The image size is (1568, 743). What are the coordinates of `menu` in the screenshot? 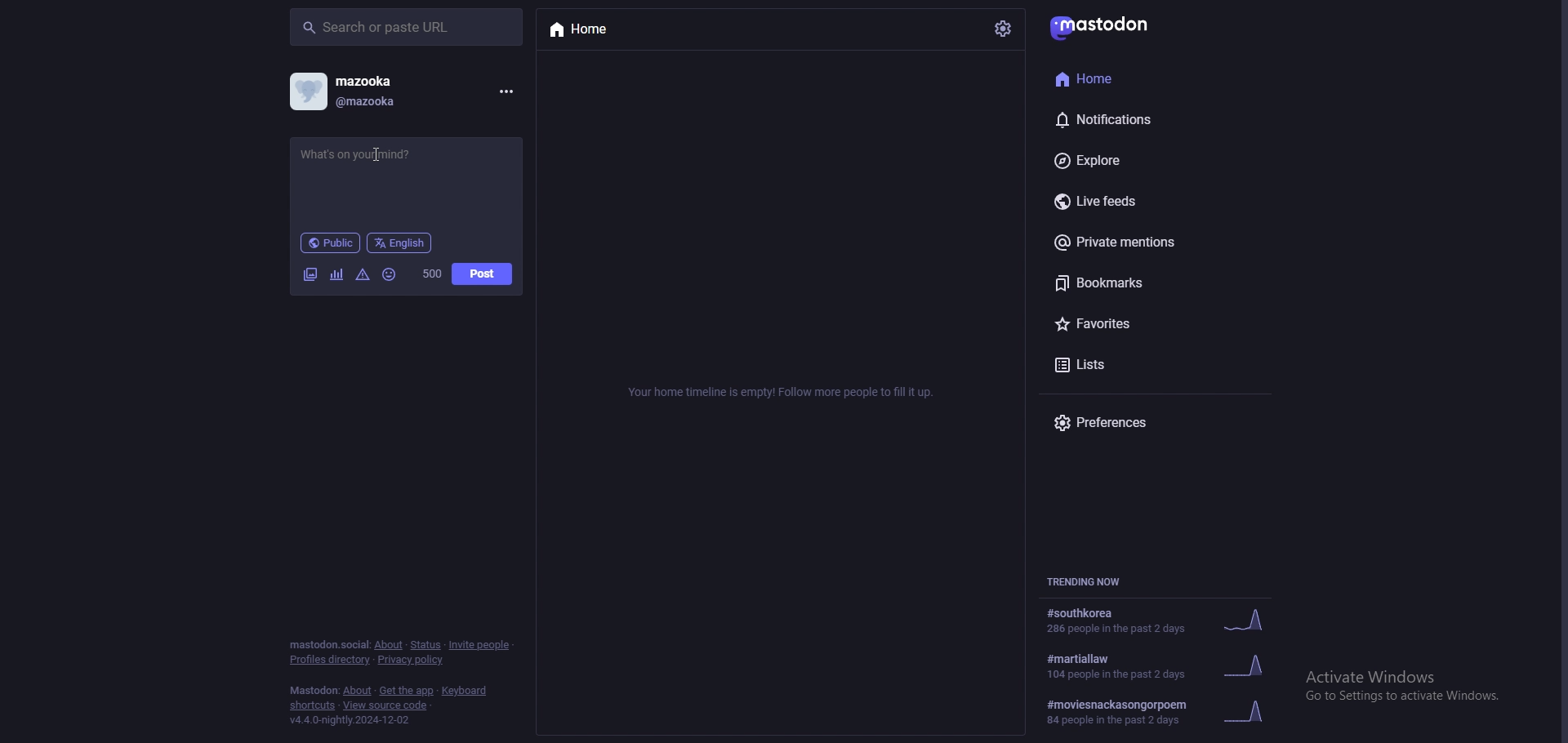 It's located at (505, 92).